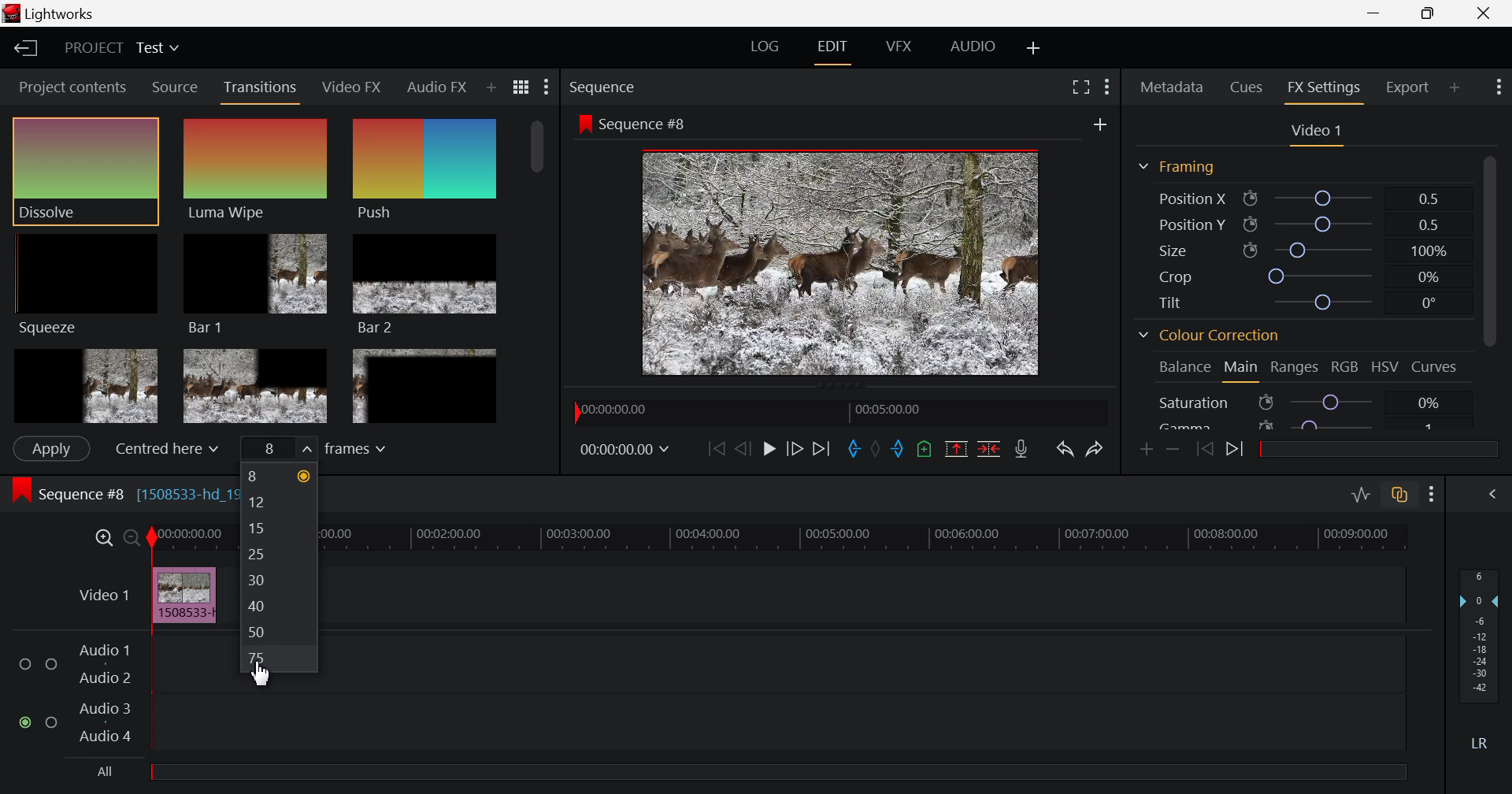 This screenshot has width=1512, height=794. I want to click on Decibel Level, so click(1480, 655).